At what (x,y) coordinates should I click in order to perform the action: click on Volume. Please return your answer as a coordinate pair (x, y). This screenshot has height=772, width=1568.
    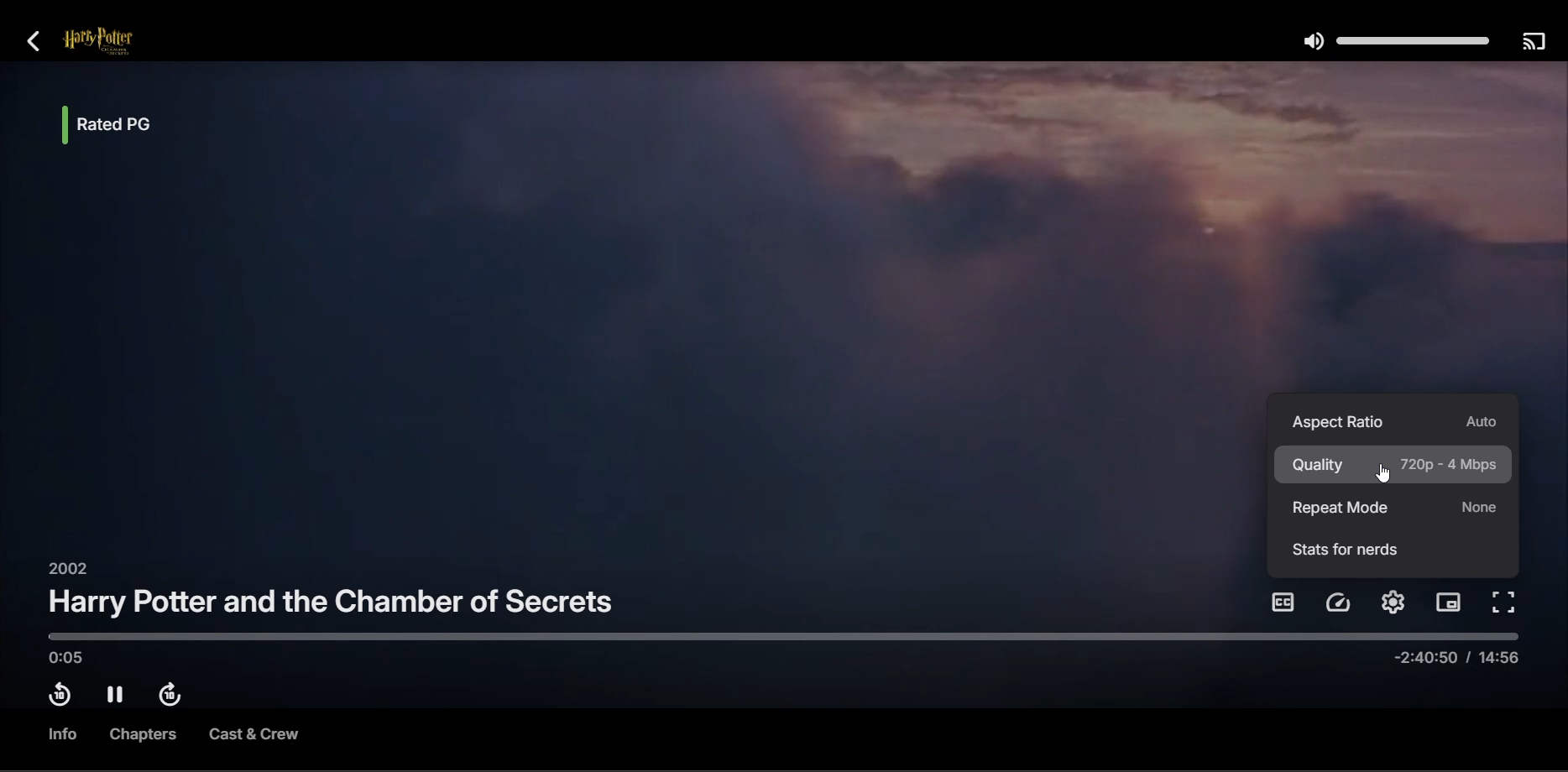
    Looking at the image, I should click on (1392, 41).